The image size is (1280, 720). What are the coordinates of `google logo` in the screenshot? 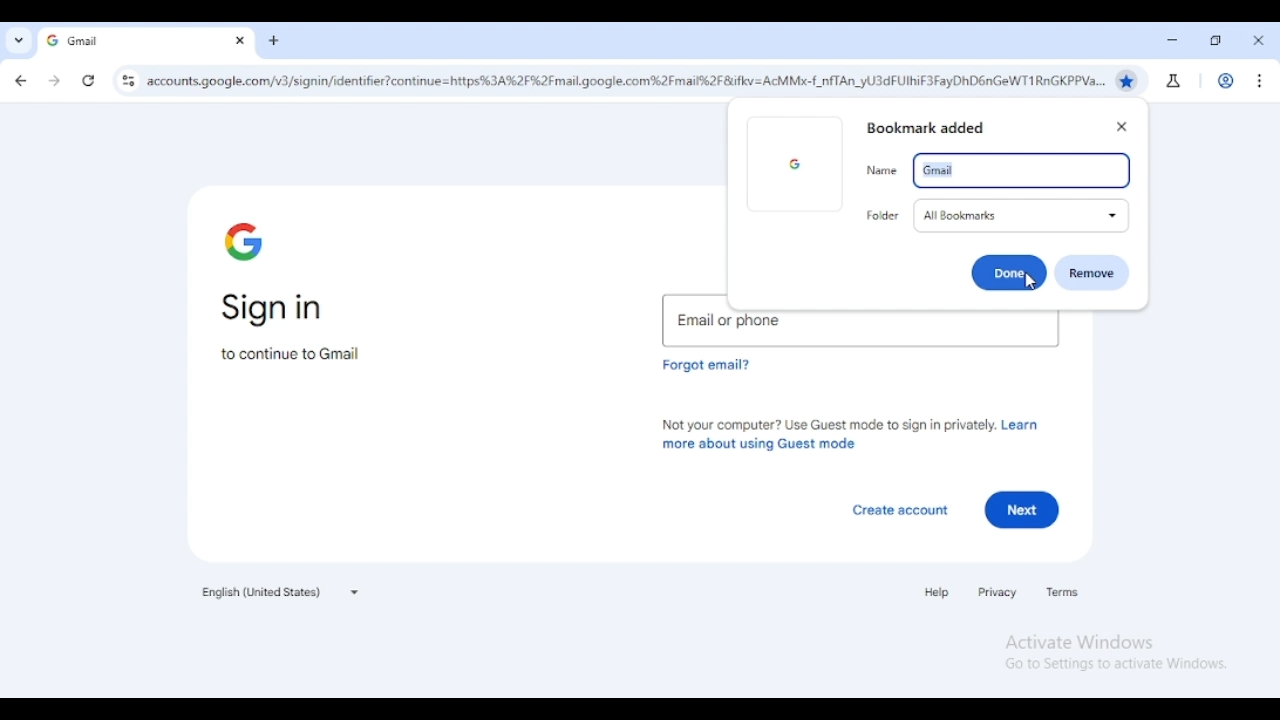 It's located at (245, 241).